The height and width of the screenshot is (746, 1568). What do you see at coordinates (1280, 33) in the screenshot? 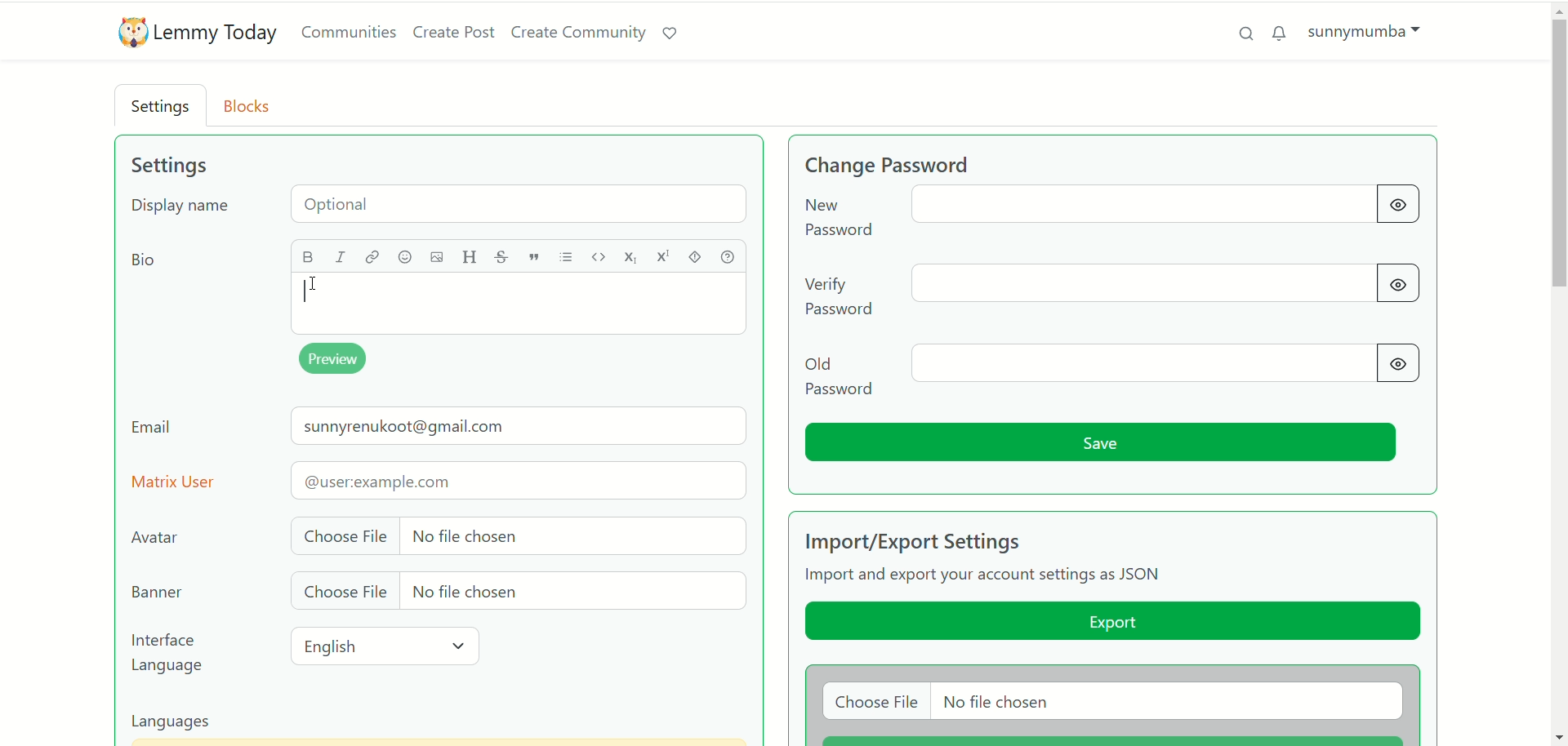
I see `unread messages` at bounding box center [1280, 33].